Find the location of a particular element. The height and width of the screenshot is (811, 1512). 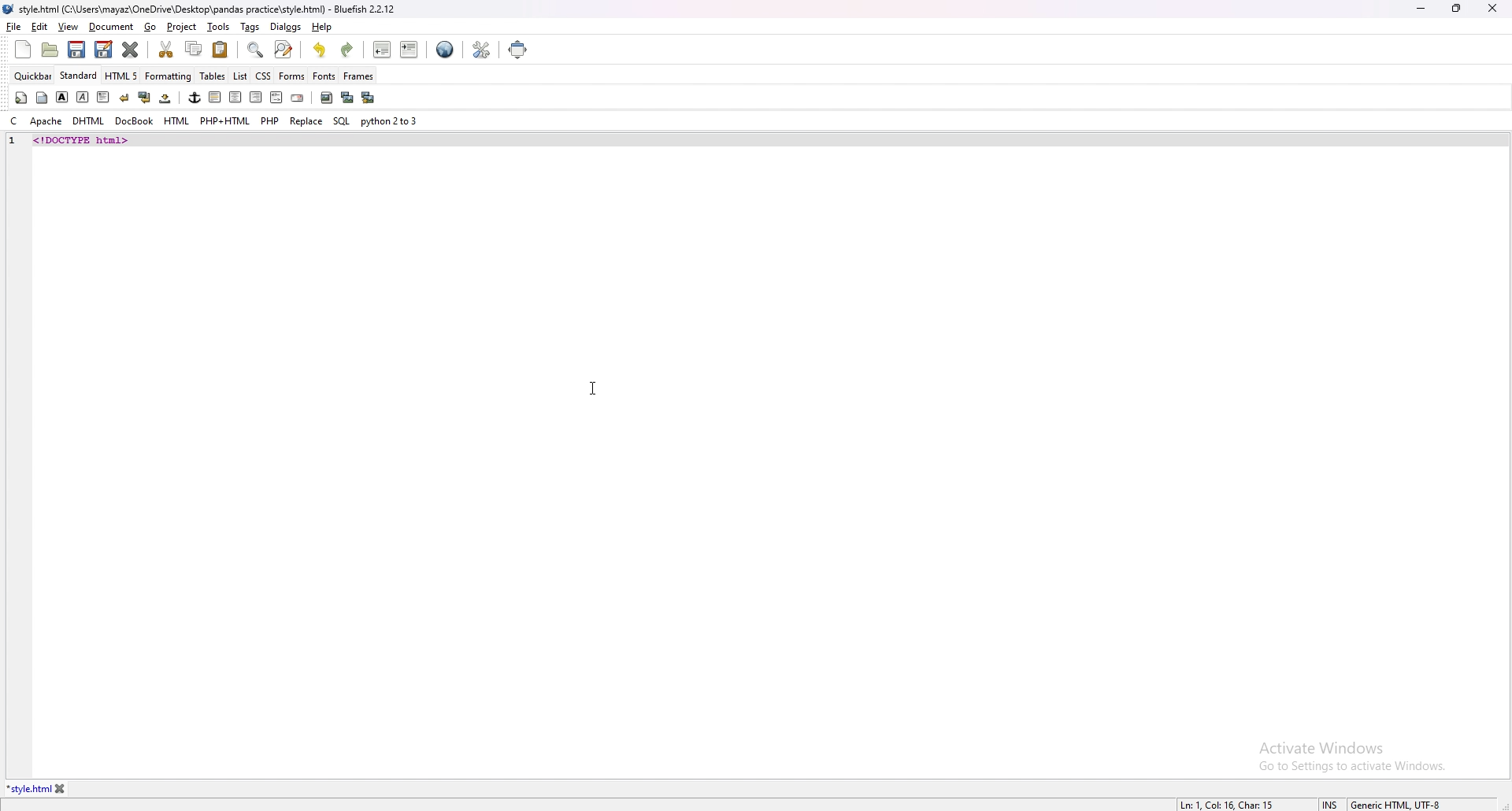

copy is located at coordinates (195, 49).